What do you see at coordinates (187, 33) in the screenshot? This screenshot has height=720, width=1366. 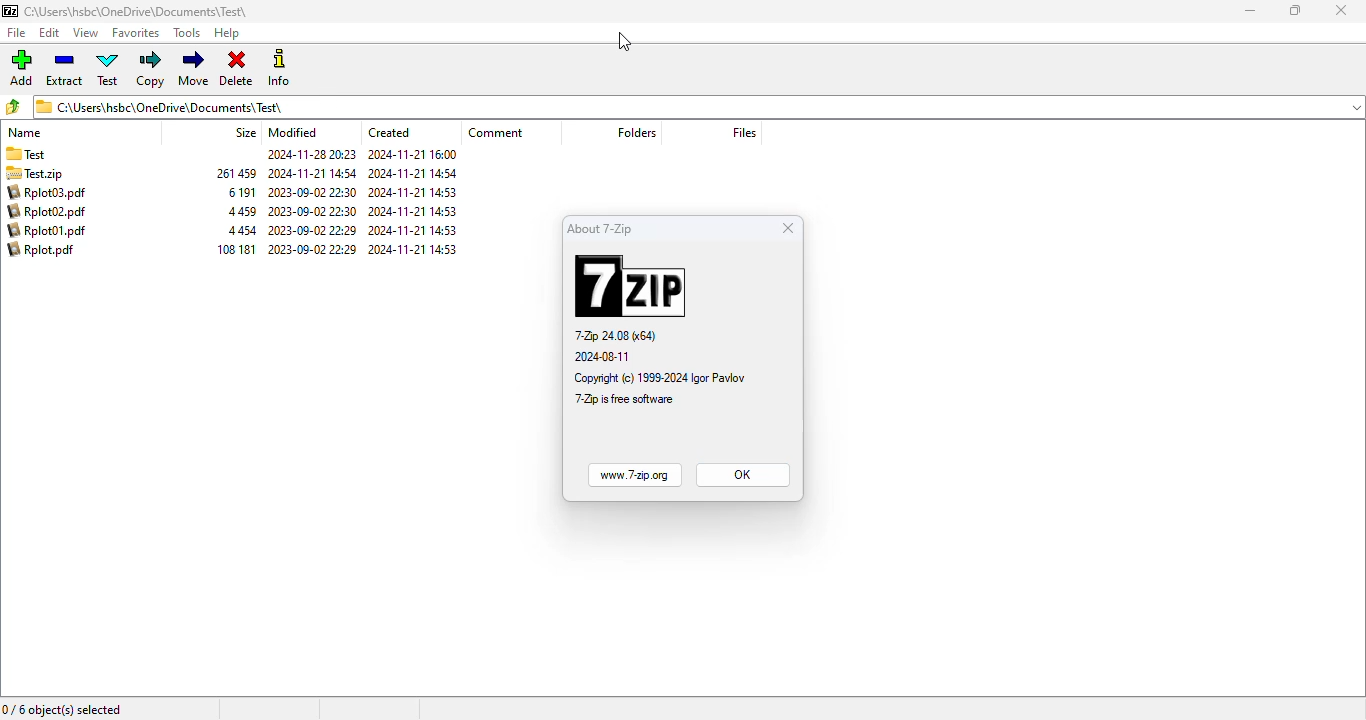 I see `tools` at bounding box center [187, 33].